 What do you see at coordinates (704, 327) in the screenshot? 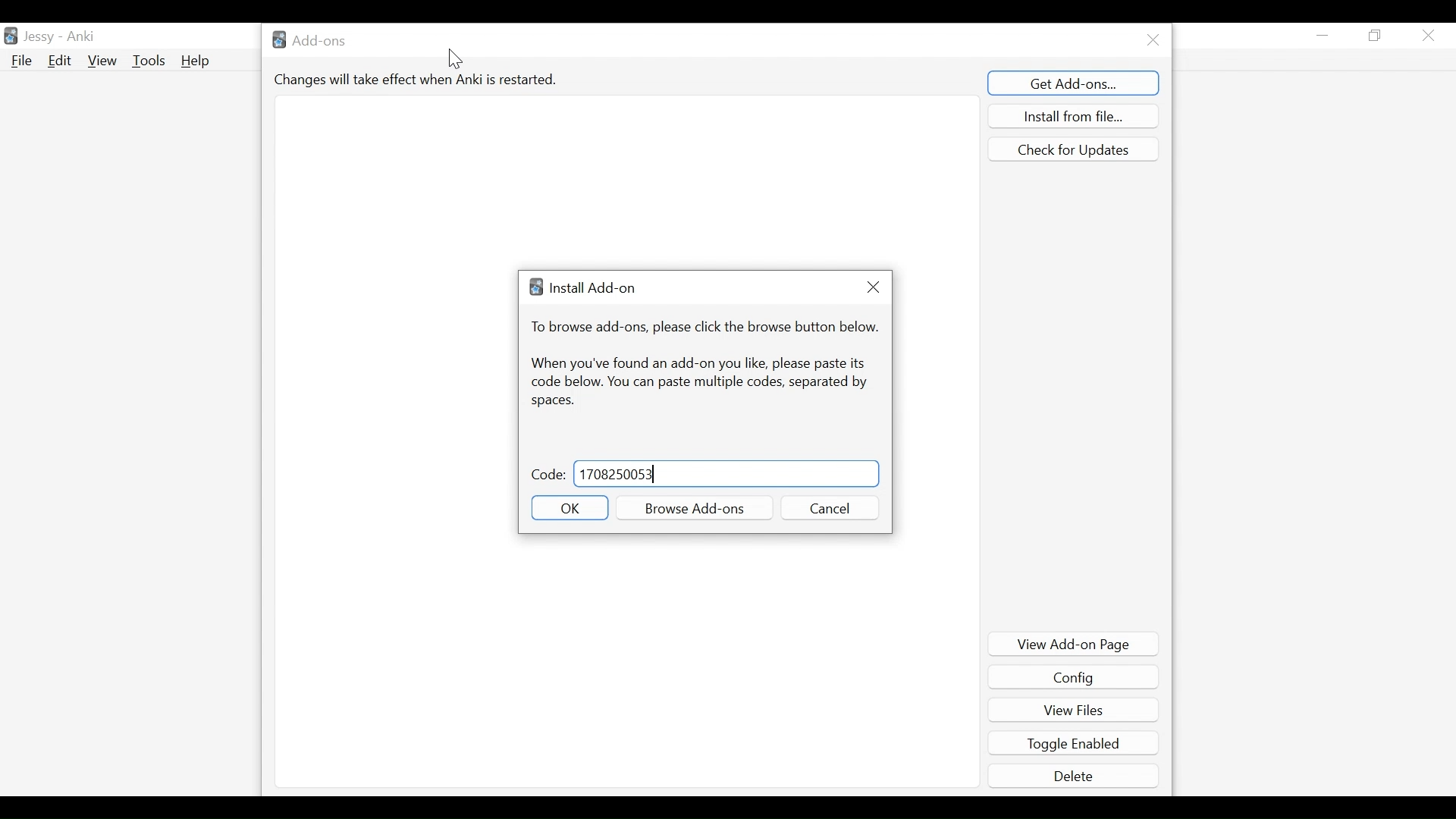
I see `To browse add-ons, please click the browse button belo` at bounding box center [704, 327].